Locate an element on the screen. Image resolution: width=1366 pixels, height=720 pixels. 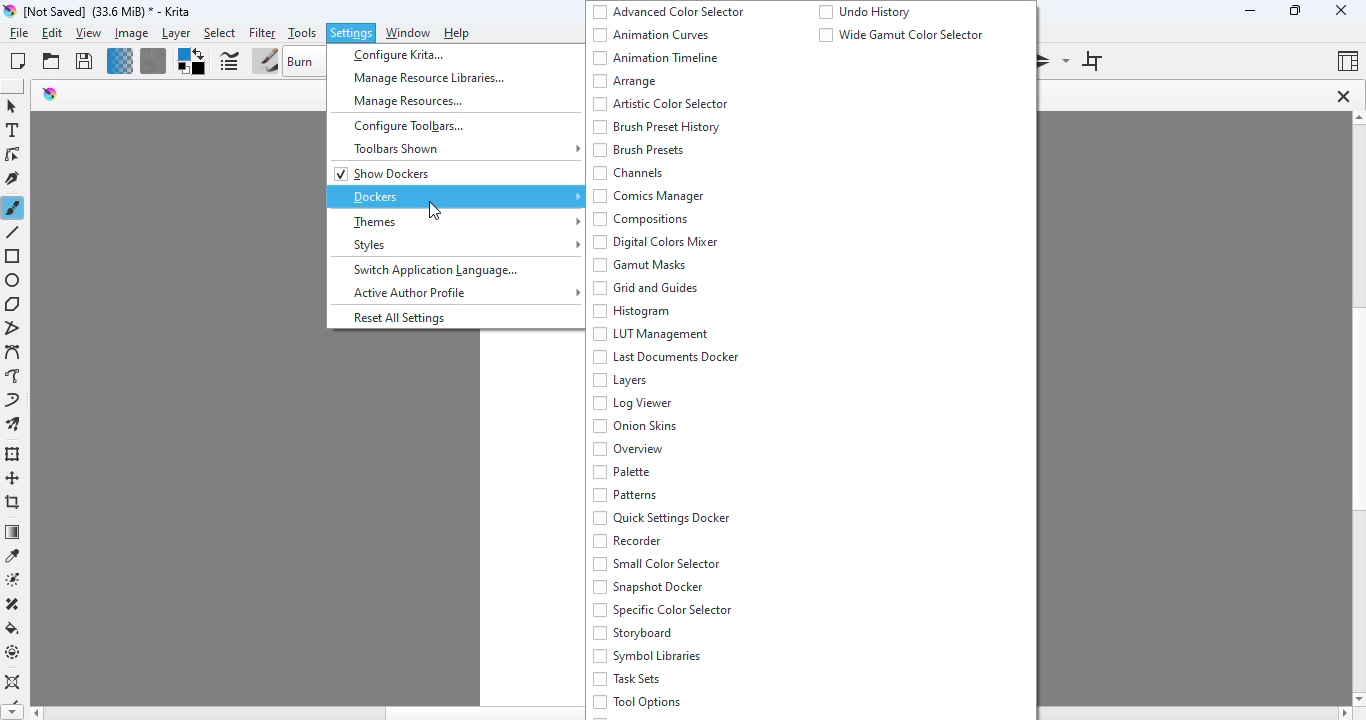
symbol libraries is located at coordinates (645, 655).